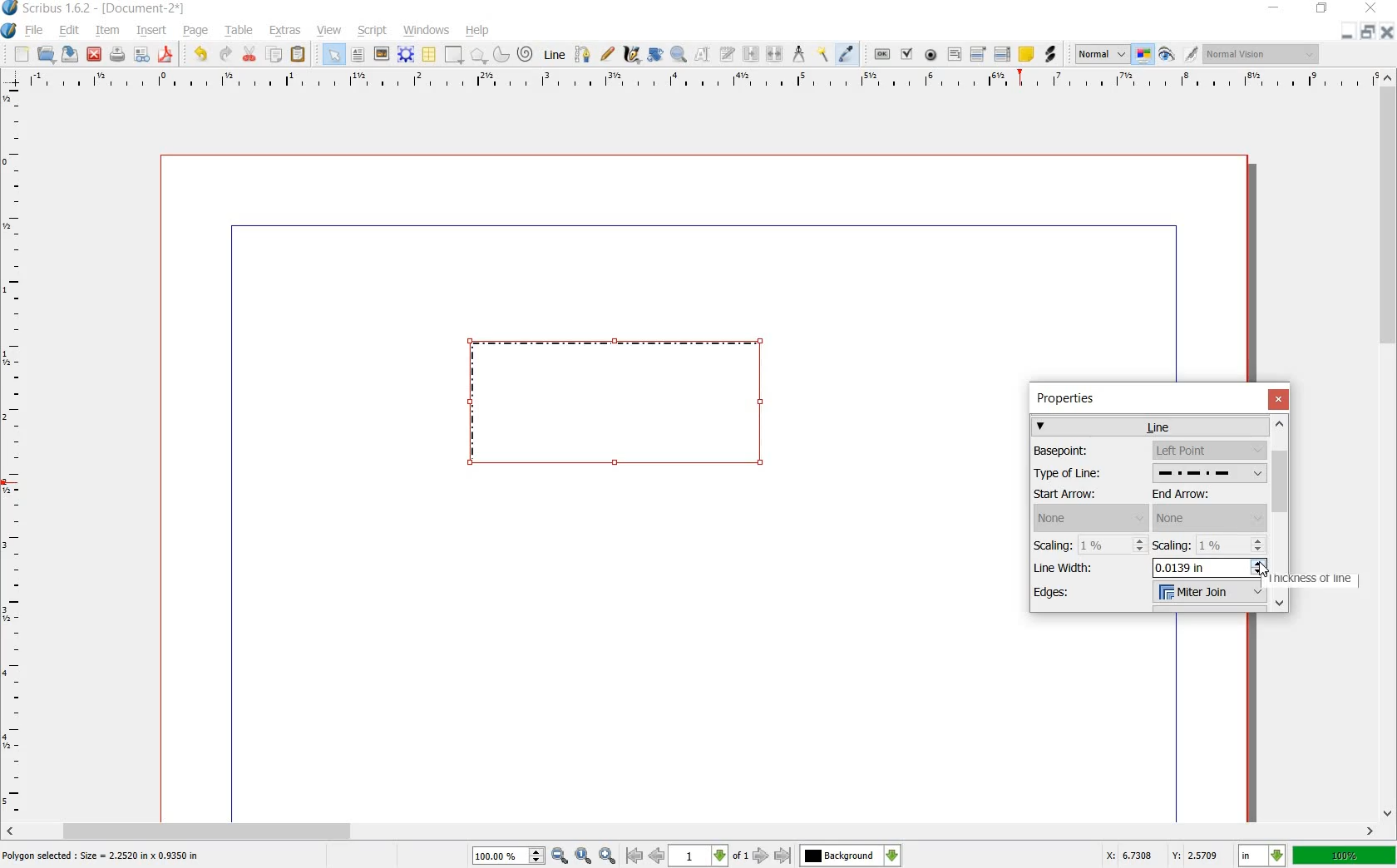 The width and height of the screenshot is (1397, 868). What do you see at coordinates (656, 856) in the screenshot?
I see `go to previous page` at bounding box center [656, 856].